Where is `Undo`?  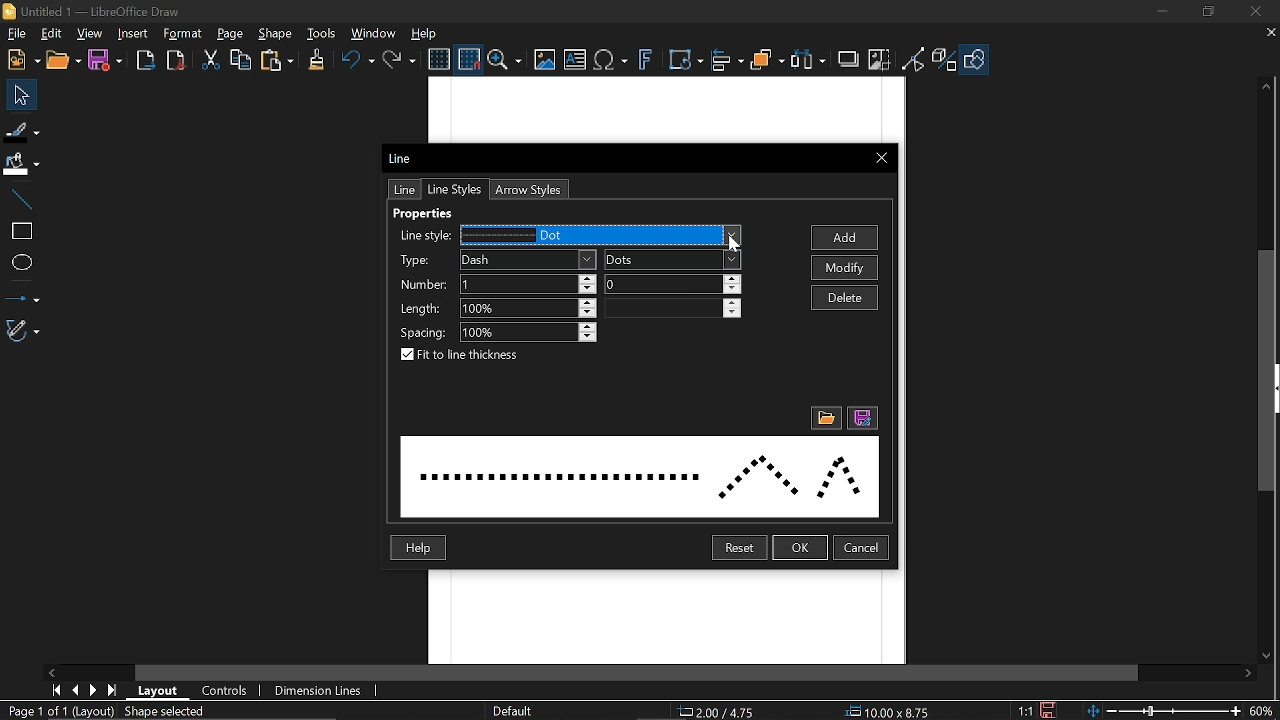
Undo is located at coordinates (357, 60).